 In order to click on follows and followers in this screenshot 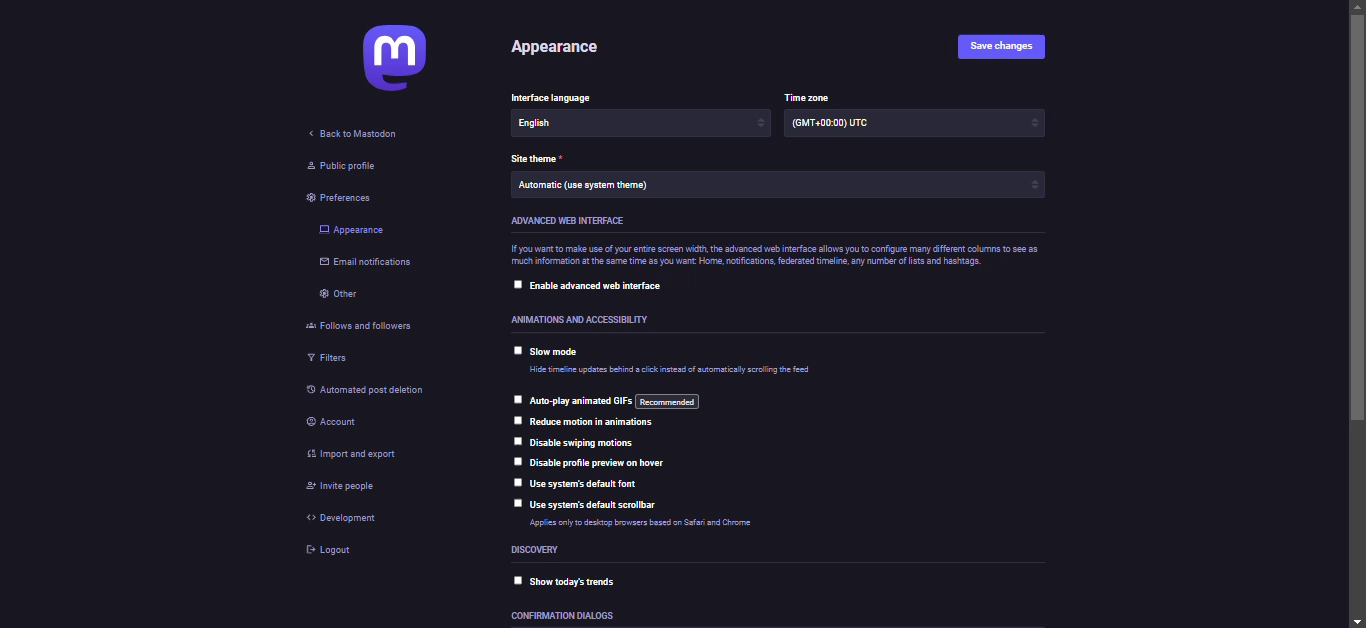, I will do `click(360, 327)`.